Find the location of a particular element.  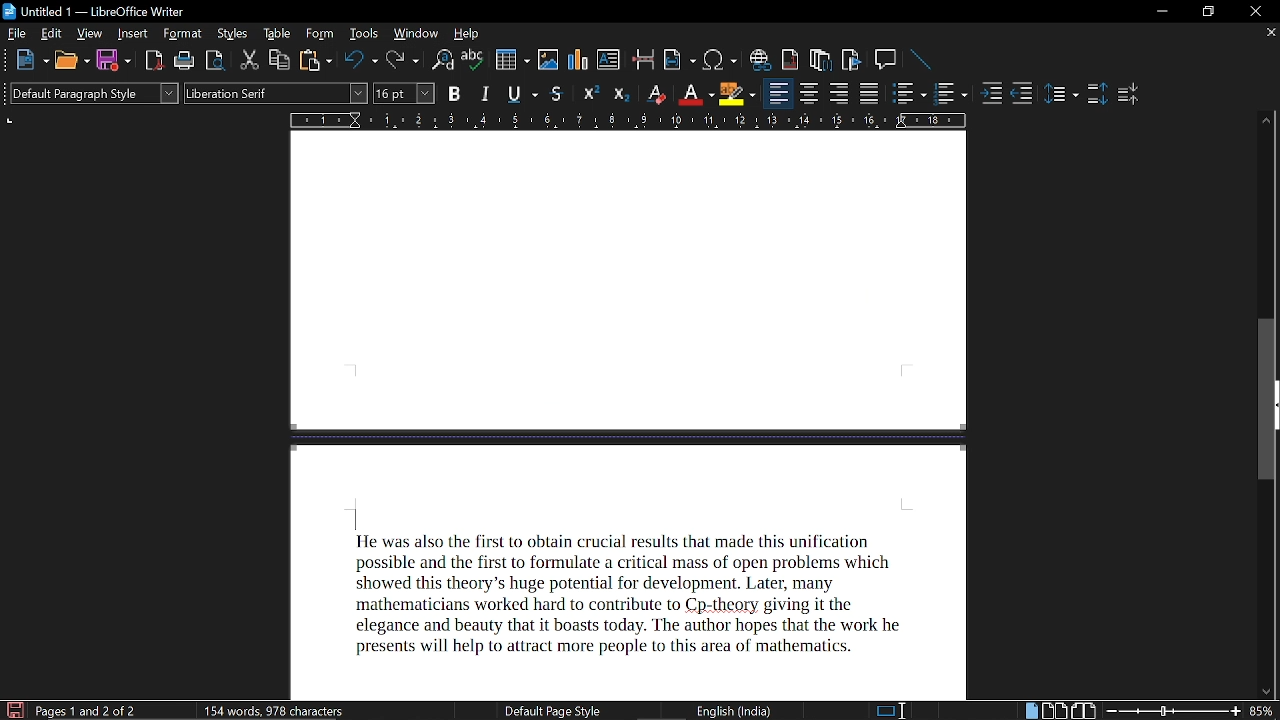

ruler is located at coordinates (630, 121).